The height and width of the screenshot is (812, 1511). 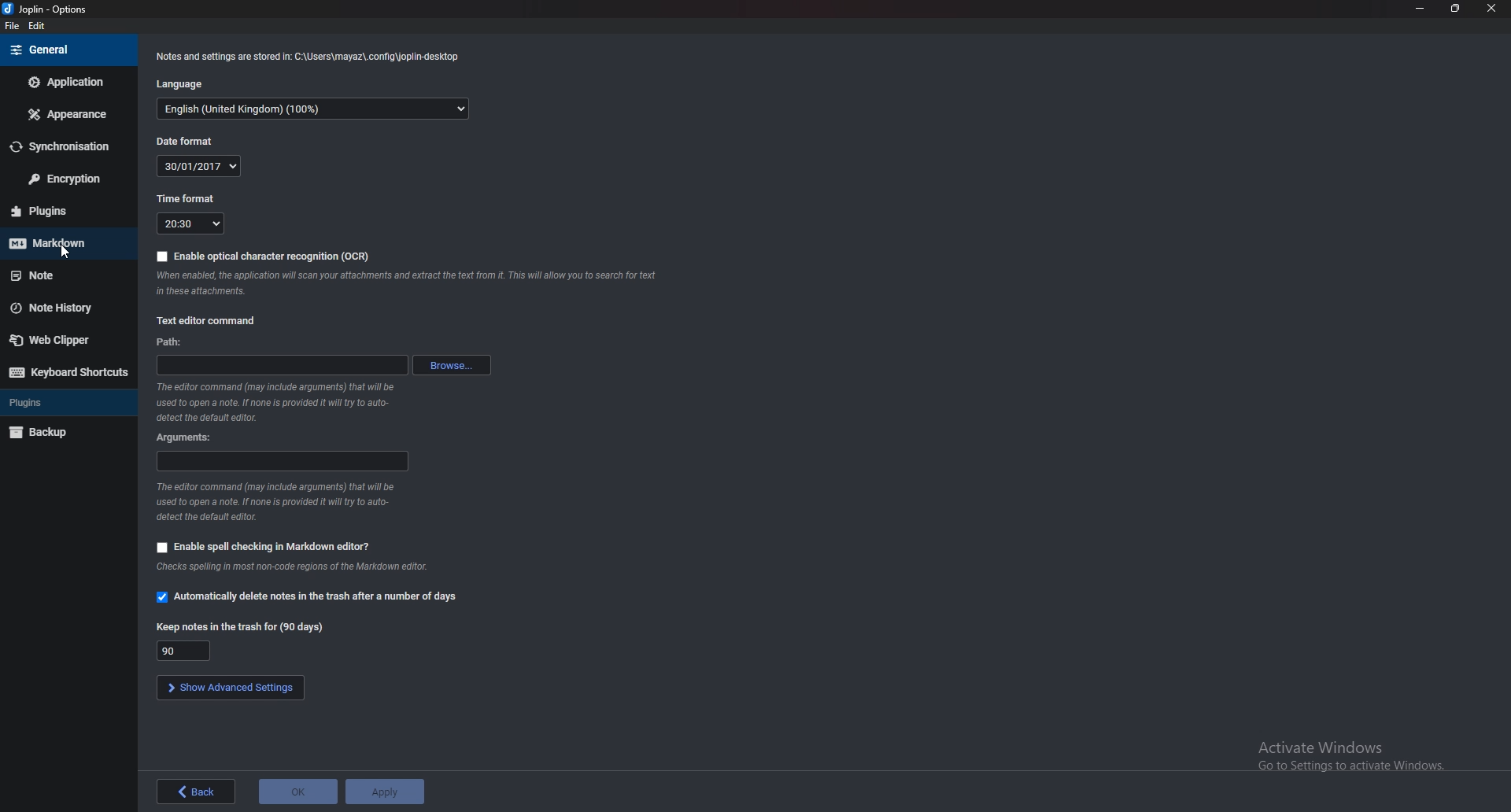 I want to click on file, so click(x=10, y=27).